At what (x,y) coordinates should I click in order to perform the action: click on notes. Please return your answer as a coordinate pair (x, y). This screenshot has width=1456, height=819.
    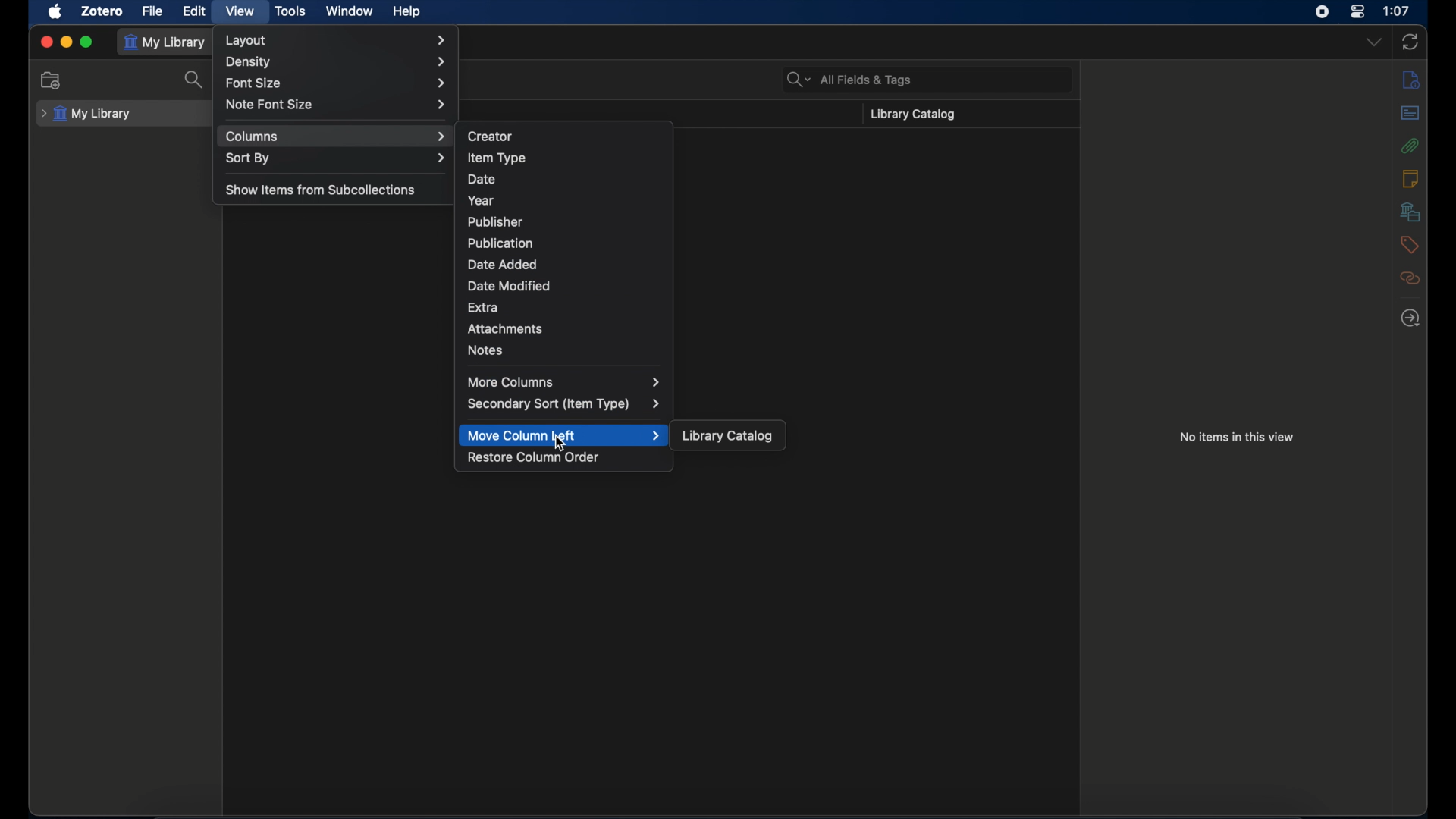
    Looking at the image, I should click on (1409, 178).